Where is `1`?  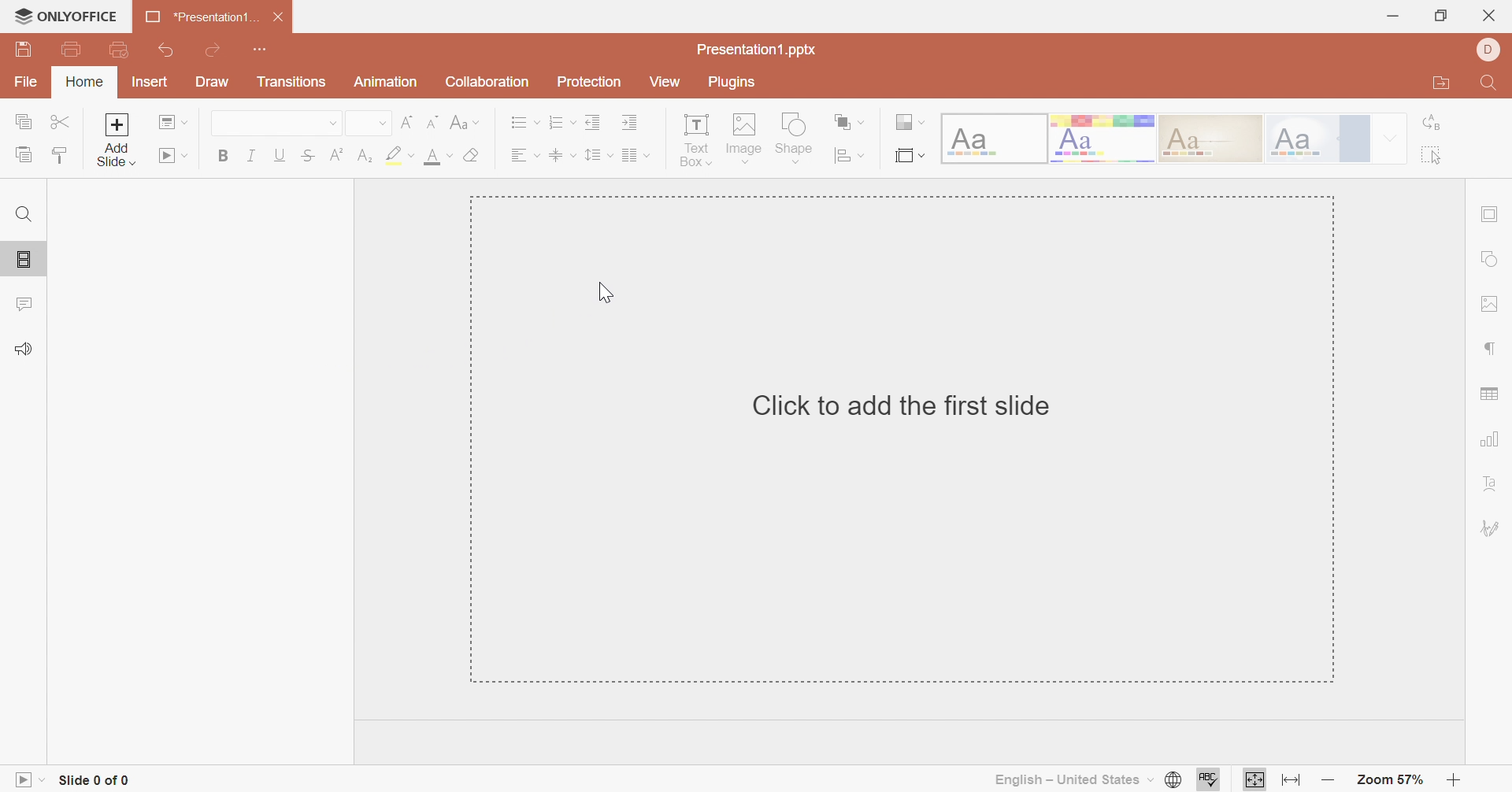 1 is located at coordinates (62, 206).